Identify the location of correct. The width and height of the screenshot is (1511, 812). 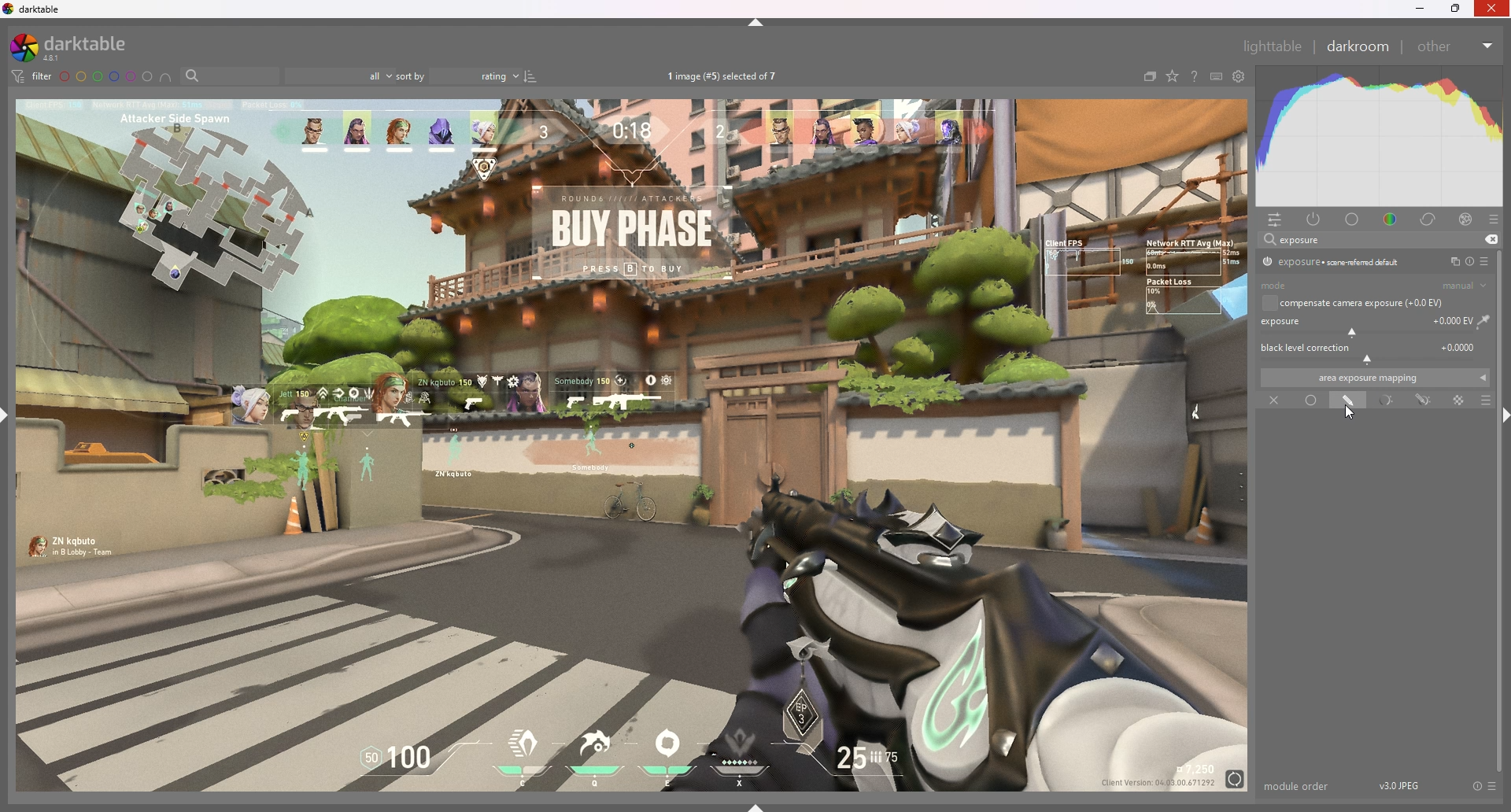
(1430, 220).